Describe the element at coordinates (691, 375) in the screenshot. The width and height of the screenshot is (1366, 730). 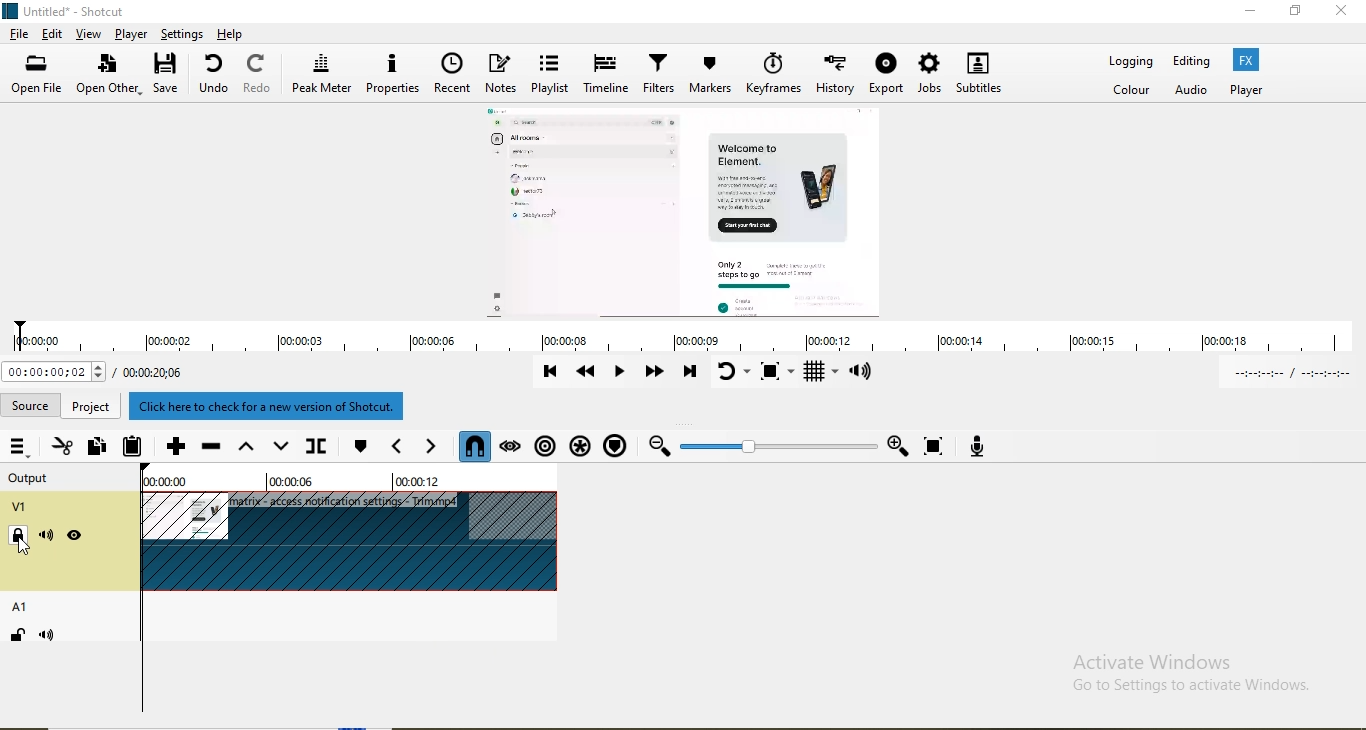
I see `Skip to the next point ` at that location.